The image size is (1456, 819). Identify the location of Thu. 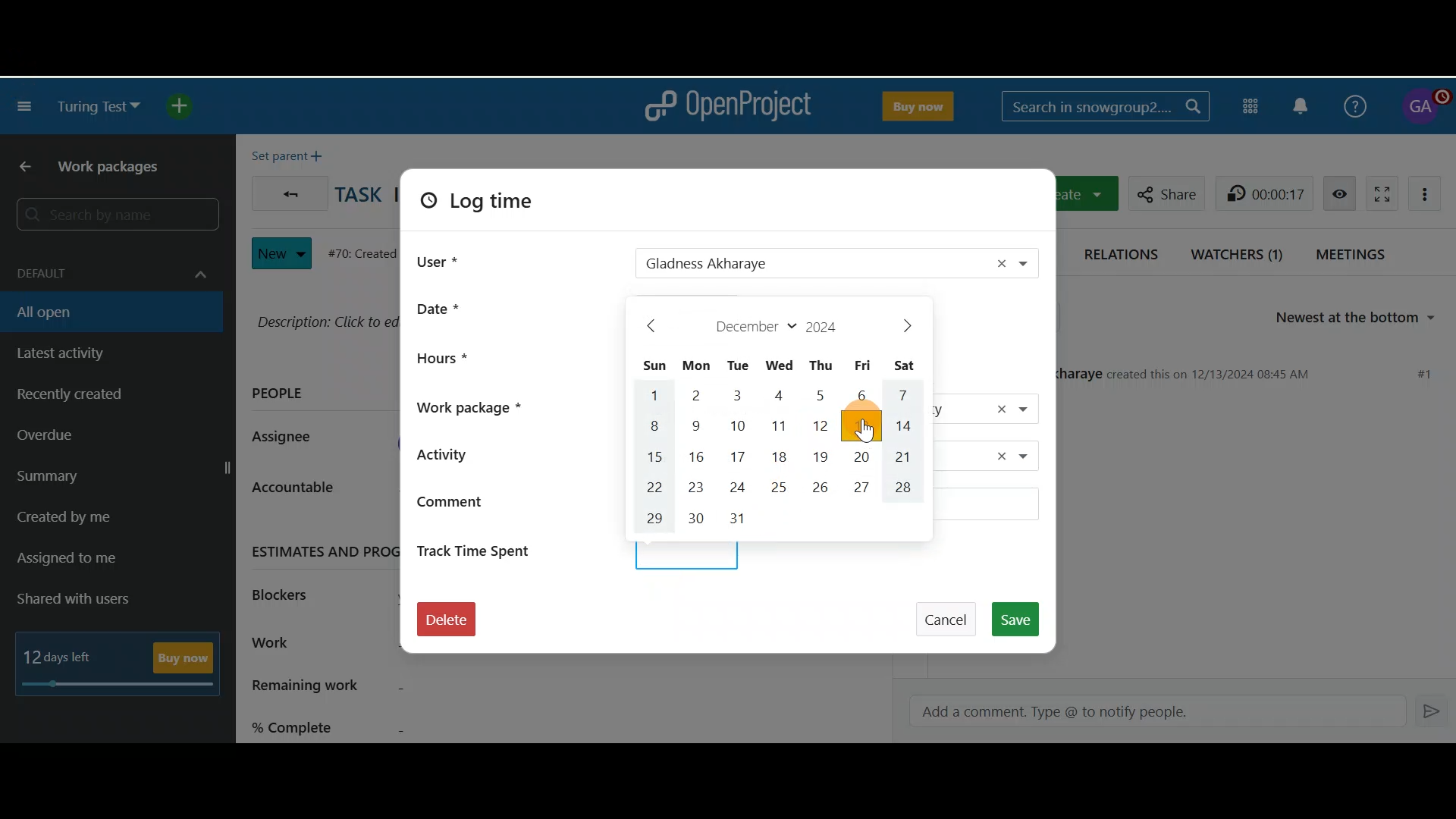
(822, 366).